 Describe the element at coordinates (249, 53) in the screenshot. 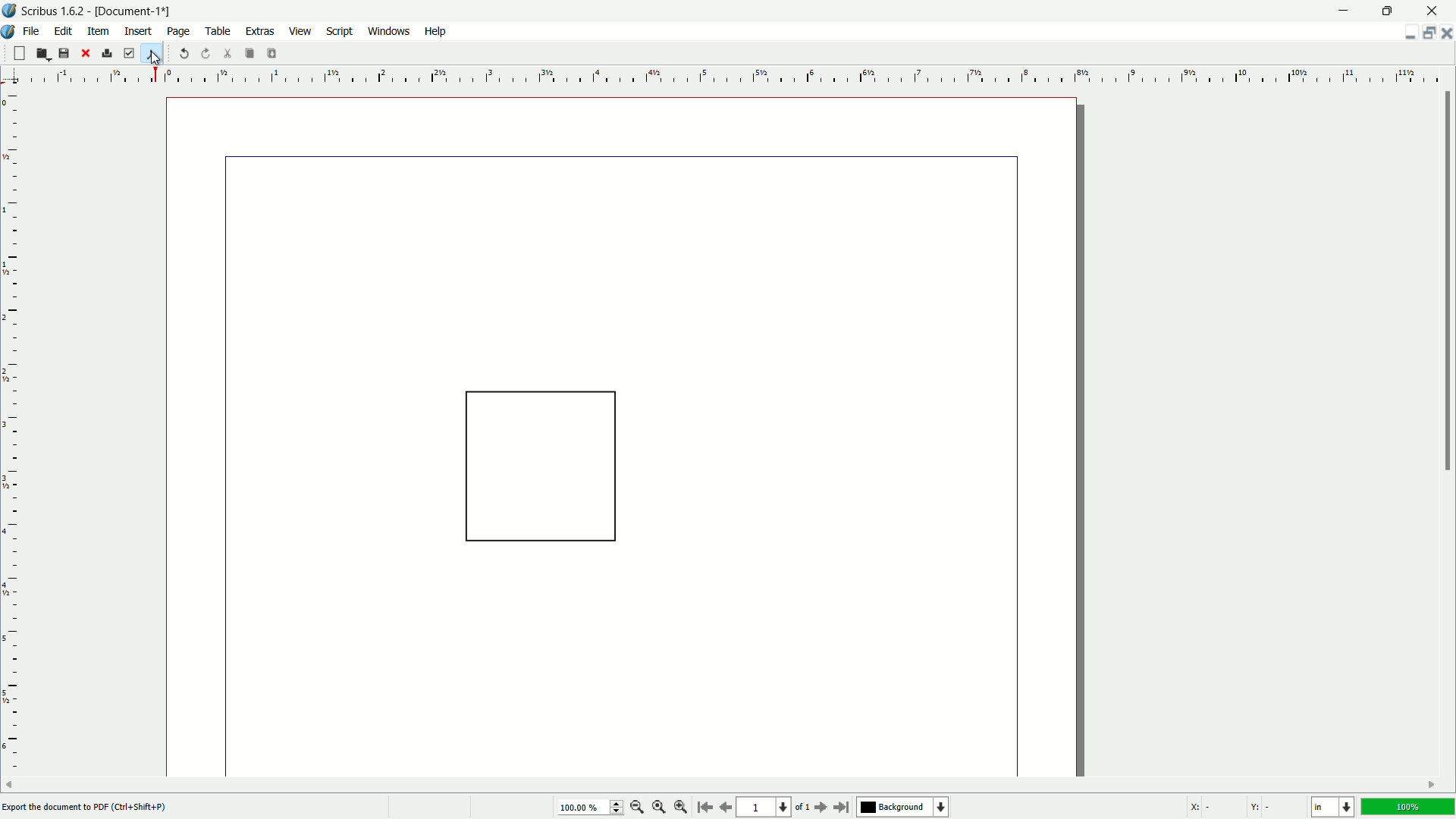

I see `copy` at that location.